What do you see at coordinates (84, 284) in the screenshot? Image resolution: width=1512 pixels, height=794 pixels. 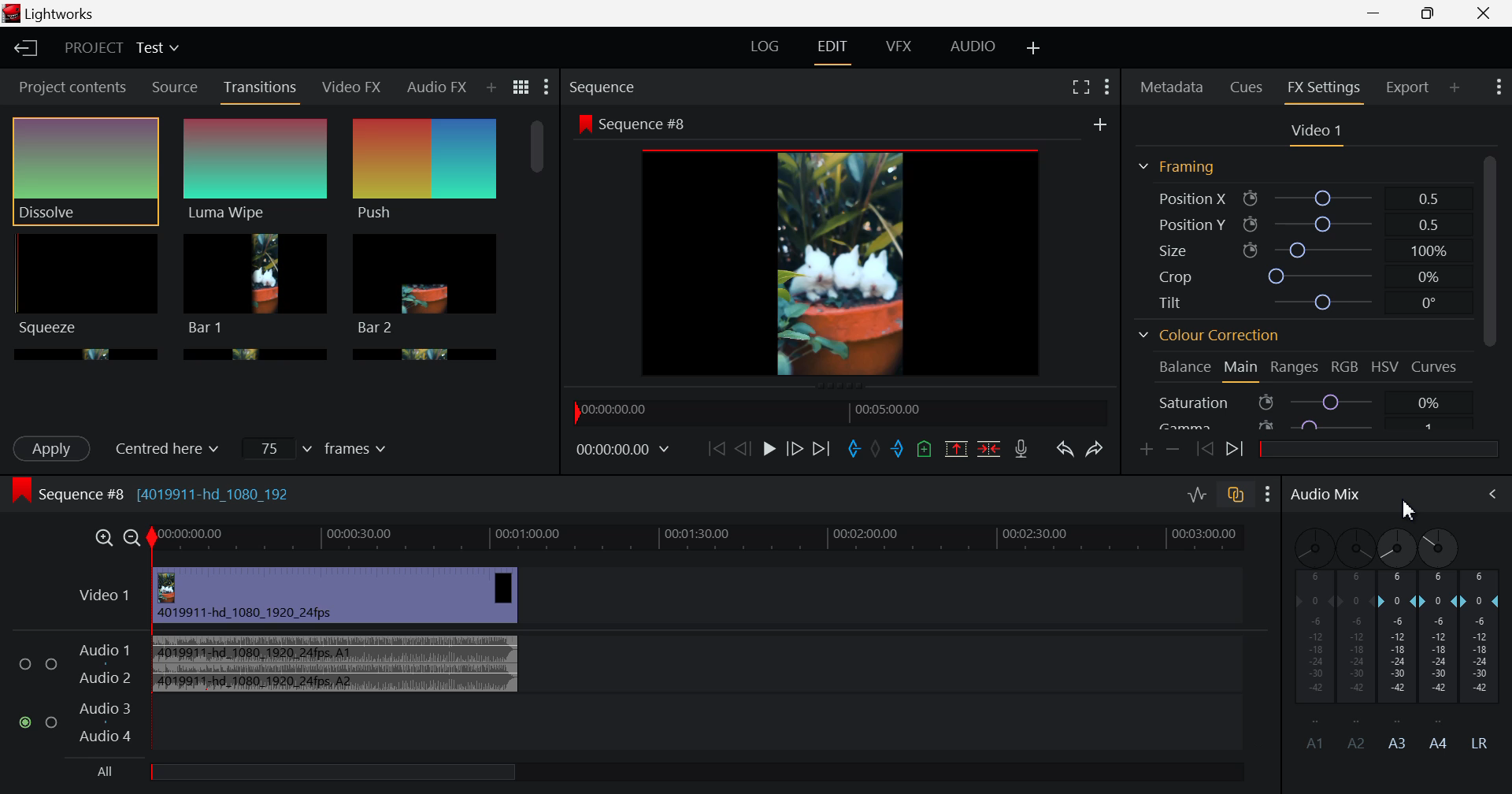 I see `Squeeze` at bounding box center [84, 284].